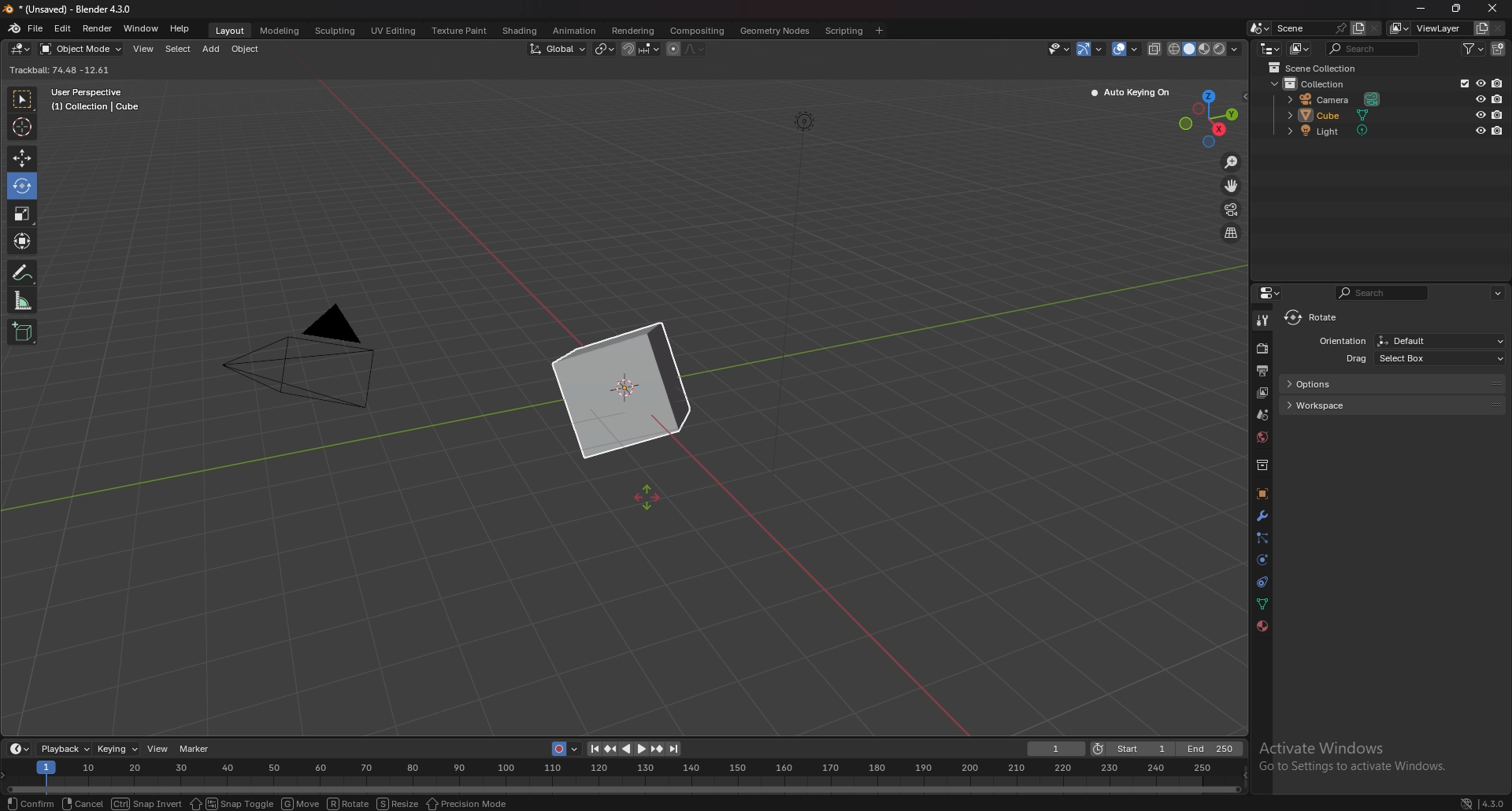  Describe the element at coordinates (880, 30) in the screenshot. I see `add workspace` at that location.